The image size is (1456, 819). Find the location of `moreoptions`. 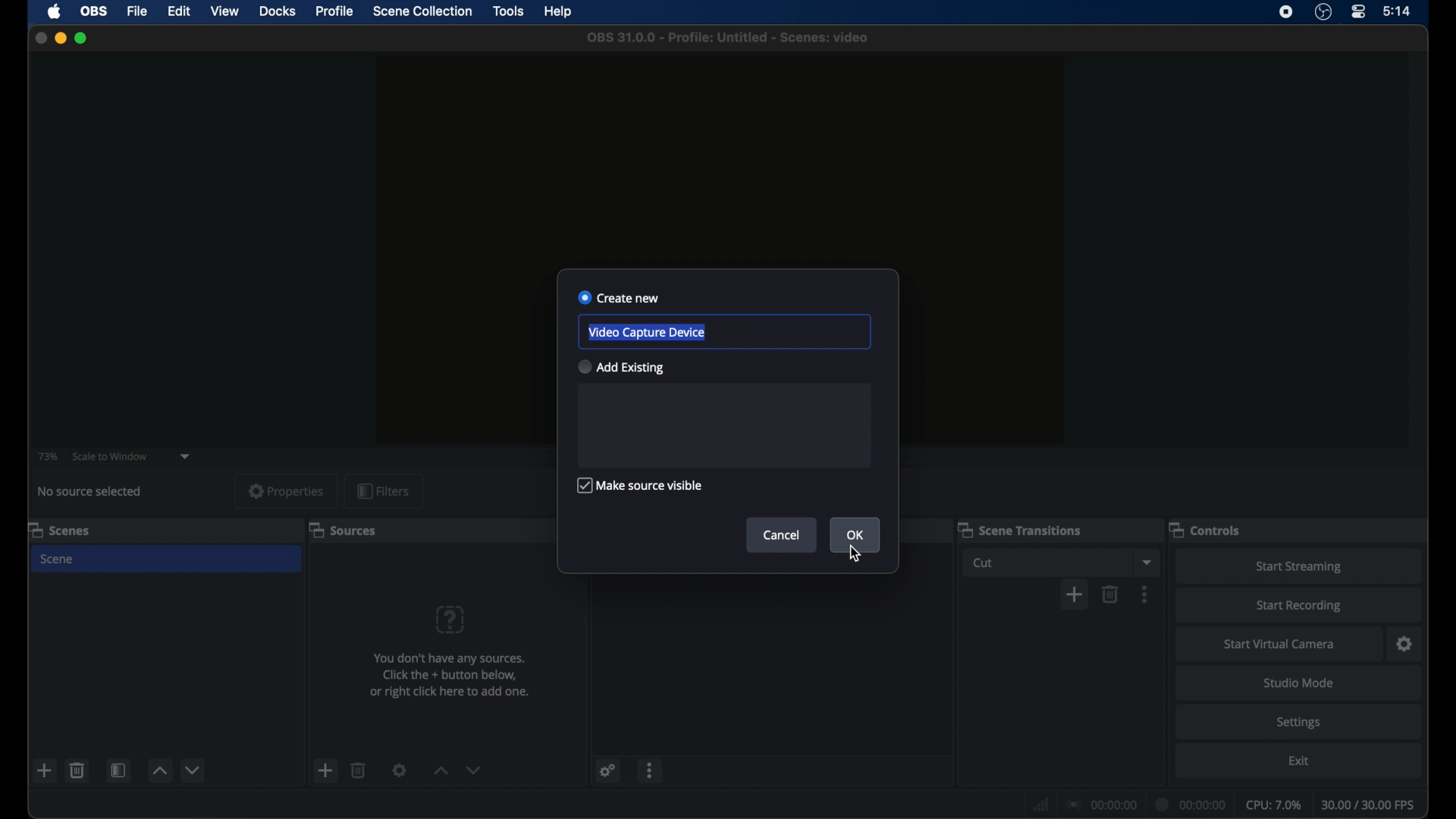

moreoptions is located at coordinates (1145, 594).